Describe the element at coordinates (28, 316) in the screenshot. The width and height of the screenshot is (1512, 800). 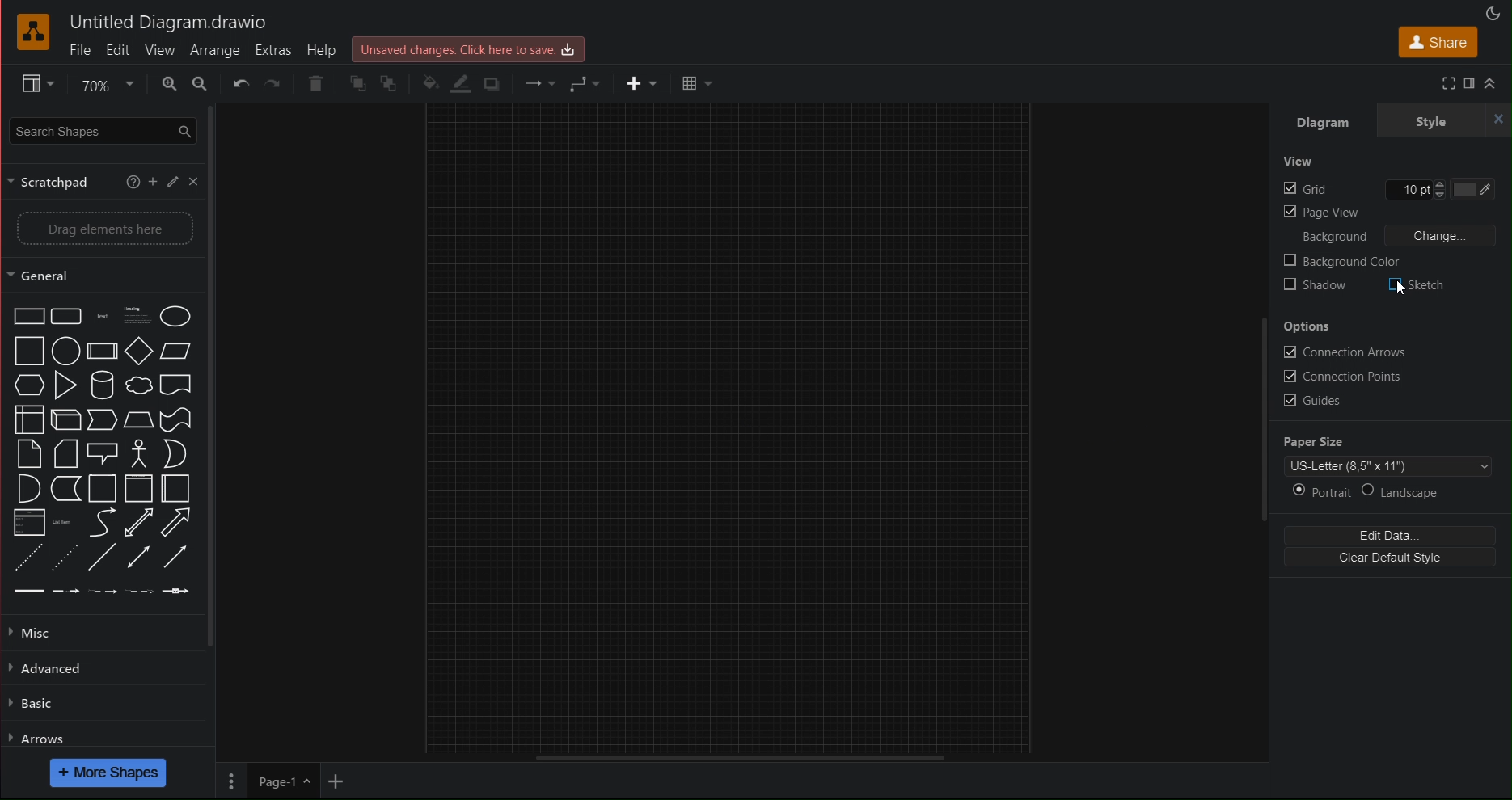
I see `rectangle` at that location.